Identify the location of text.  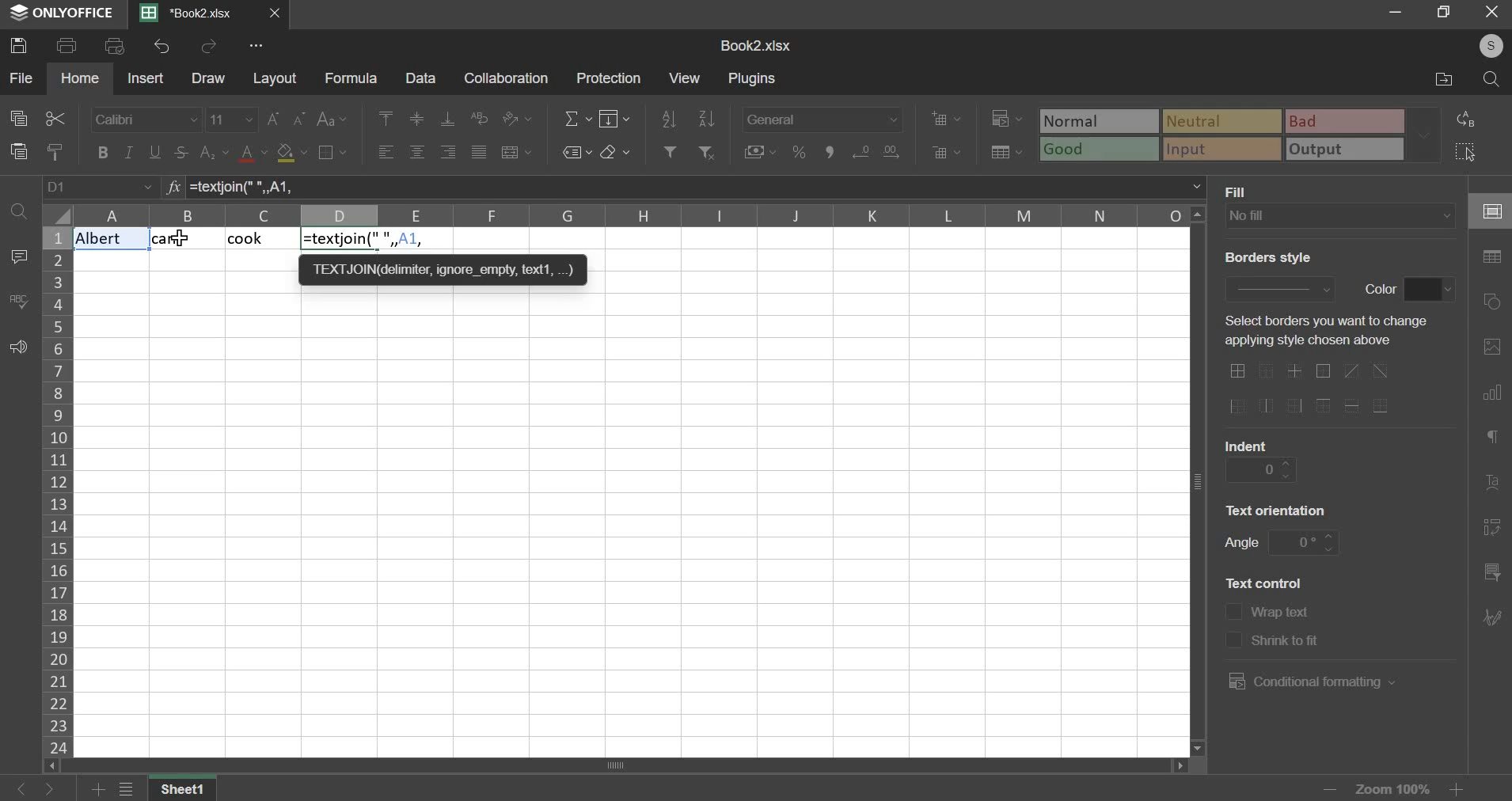
(1241, 545).